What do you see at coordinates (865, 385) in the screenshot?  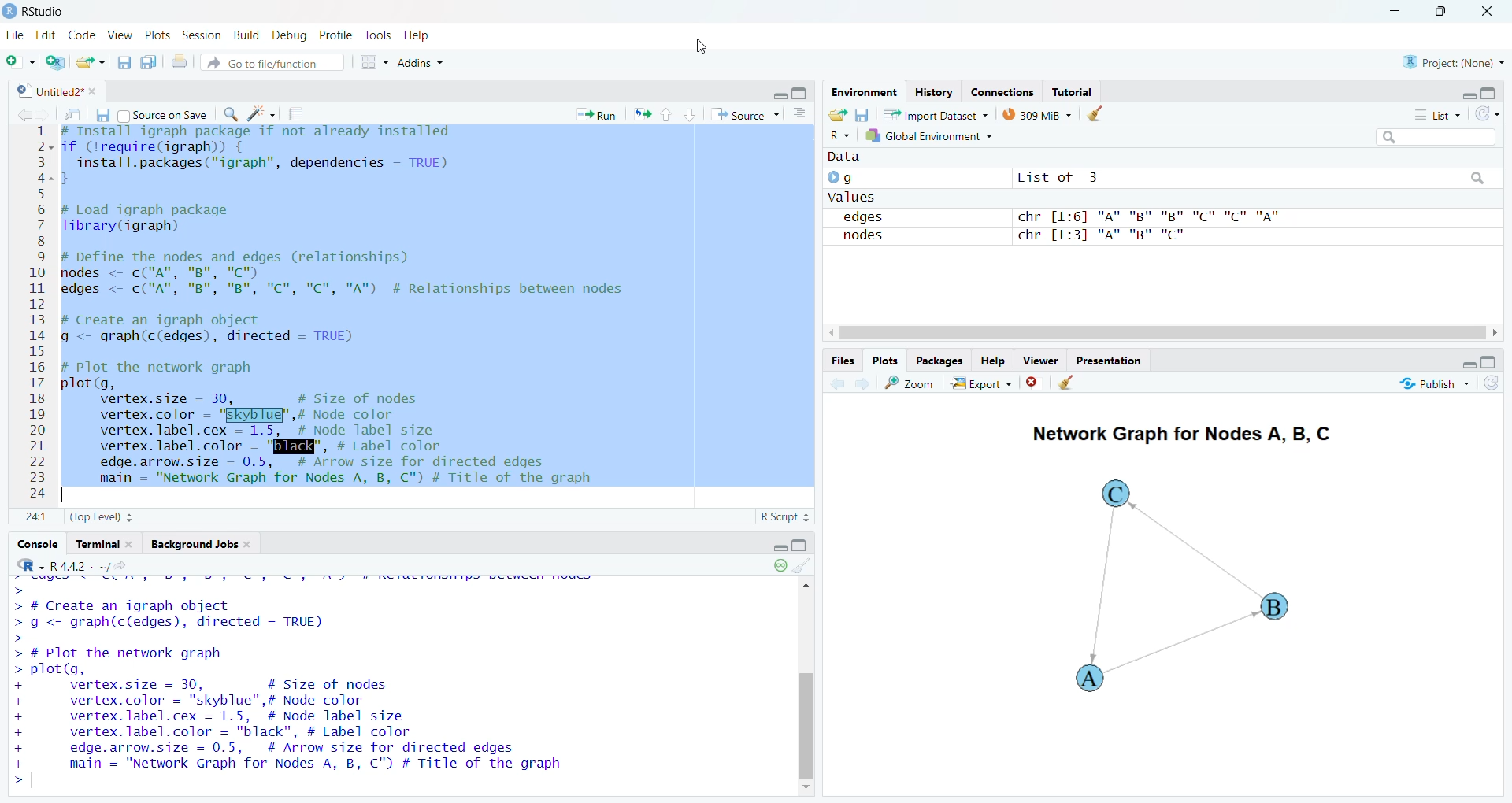 I see `next` at bounding box center [865, 385].